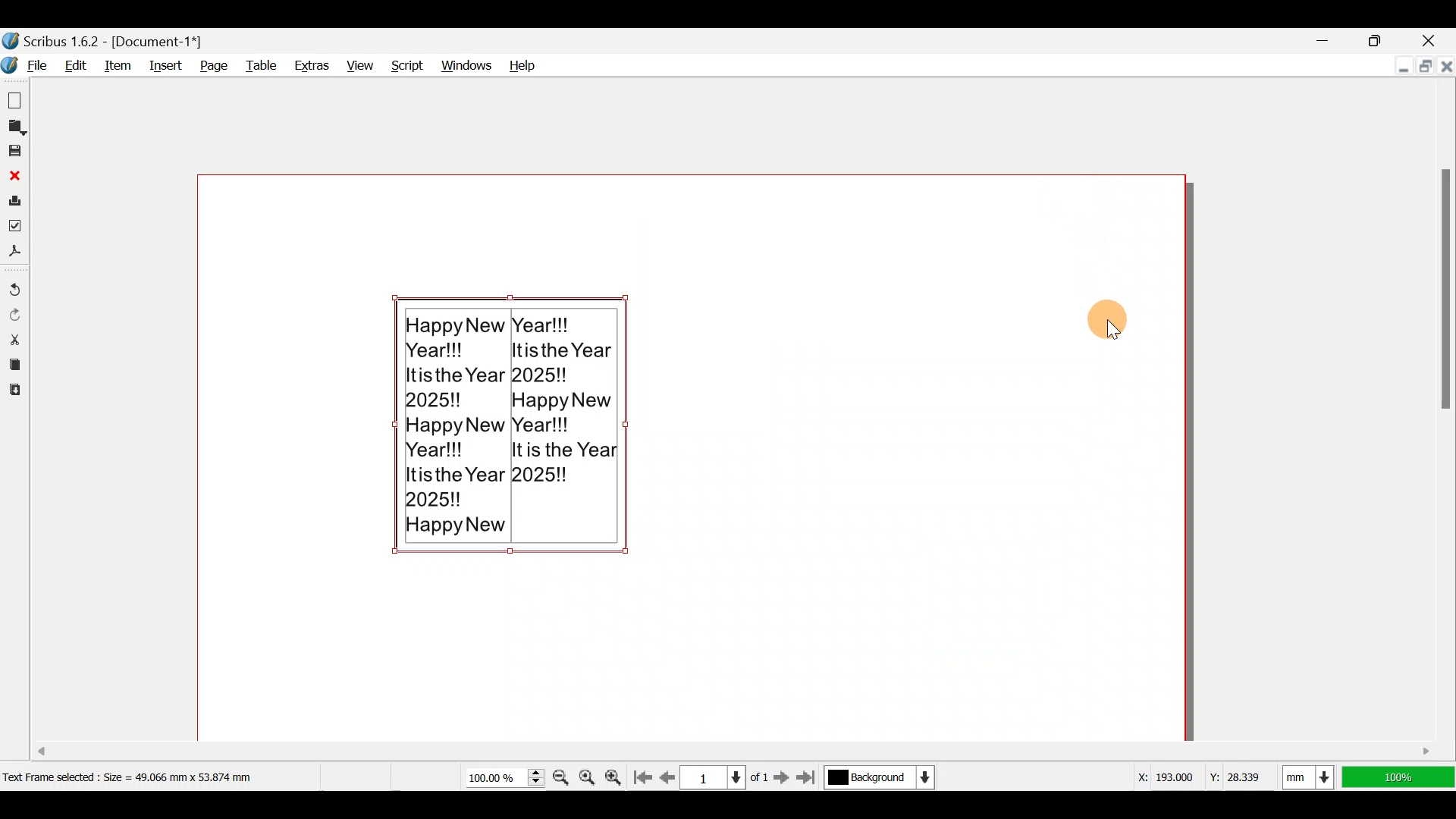 The height and width of the screenshot is (819, 1456). Describe the element at coordinates (1243, 771) in the screenshot. I see `Y-axis dimension values` at that location.